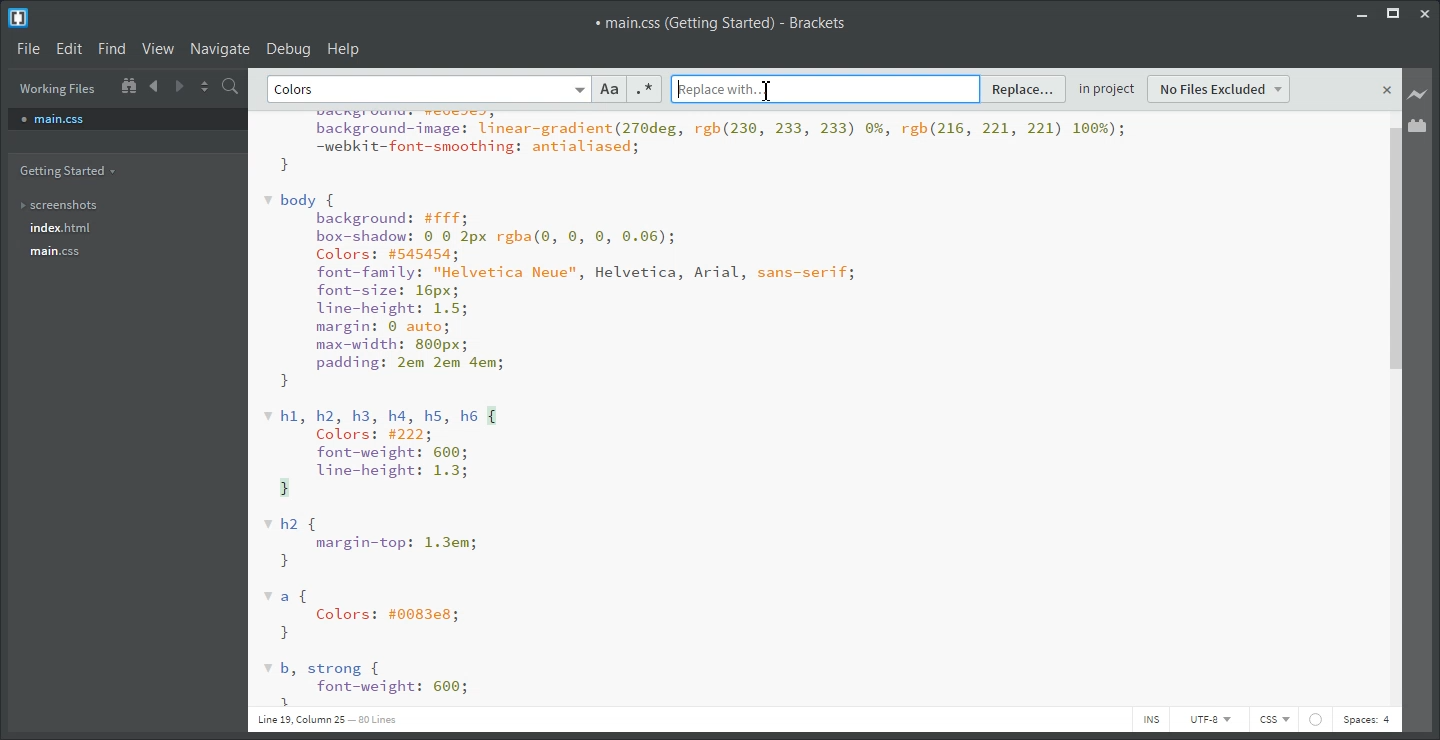 This screenshot has height=740, width=1440. What do you see at coordinates (367, 615) in the screenshot?
I see `af
Colors: #0083e8;
}` at bounding box center [367, 615].